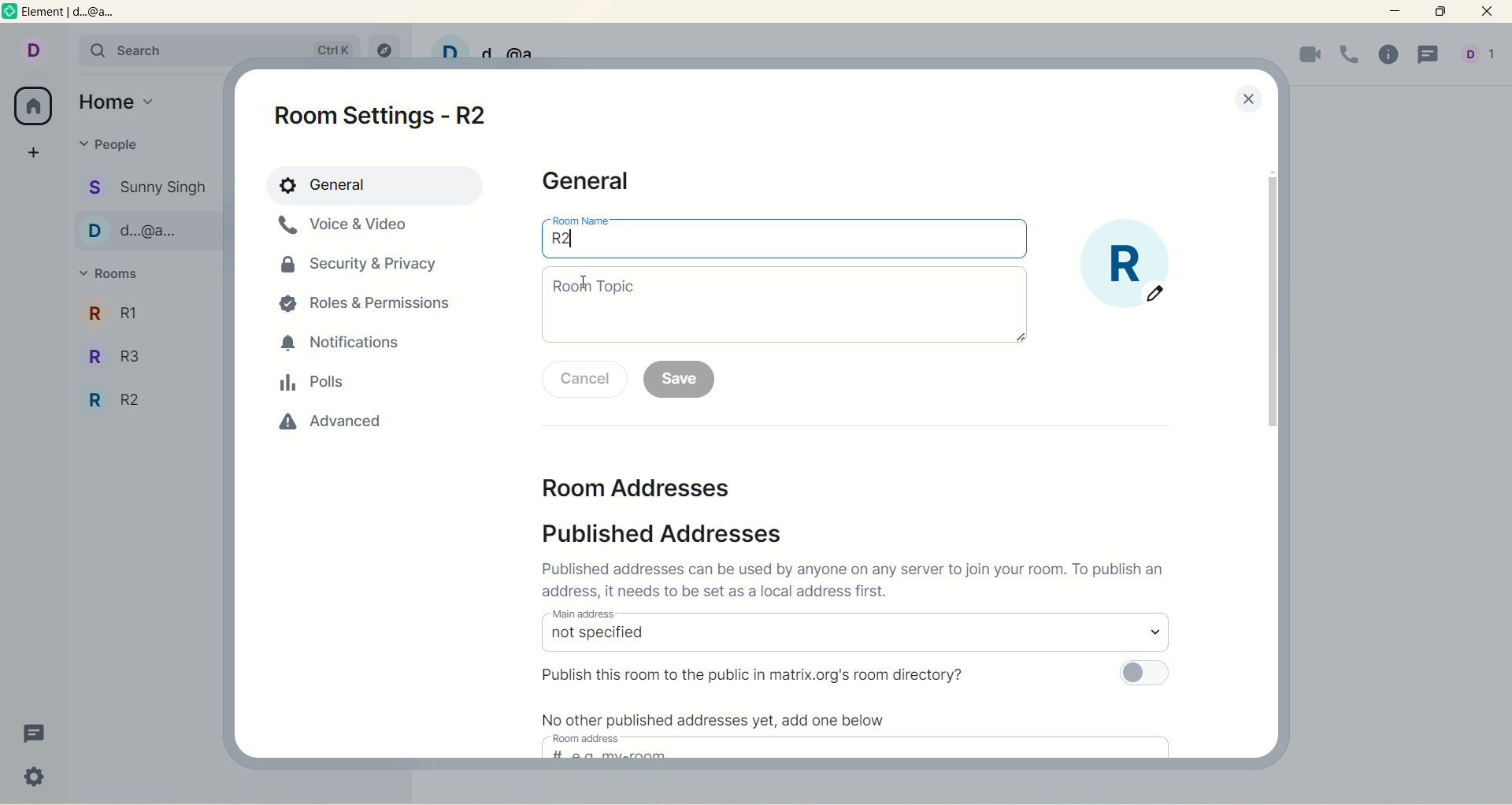 The width and height of the screenshot is (1512, 805). What do you see at coordinates (854, 639) in the screenshot?
I see `select main address` at bounding box center [854, 639].